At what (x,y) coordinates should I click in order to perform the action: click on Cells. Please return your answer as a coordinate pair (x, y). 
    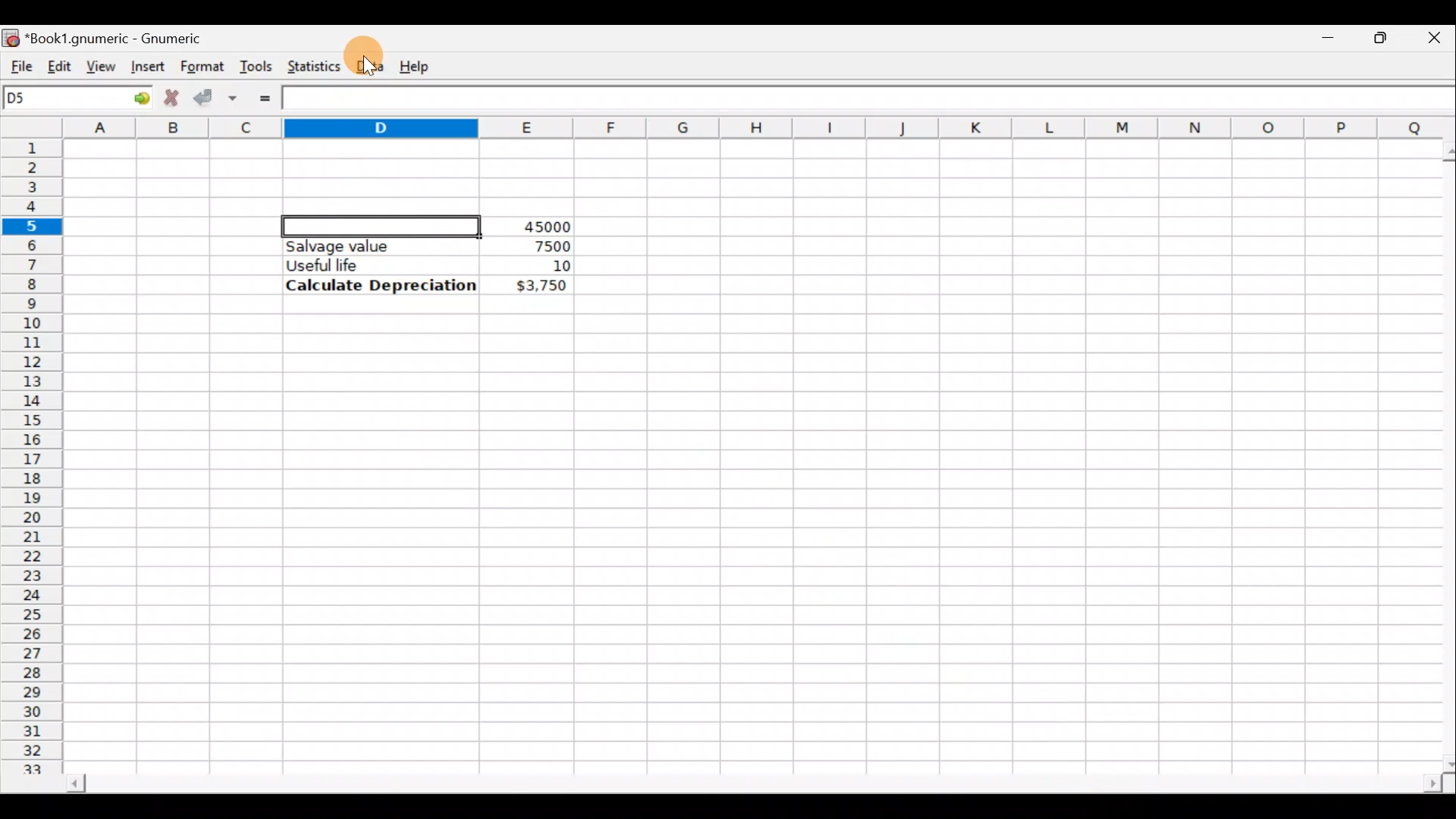
    Looking at the image, I should click on (1078, 461).